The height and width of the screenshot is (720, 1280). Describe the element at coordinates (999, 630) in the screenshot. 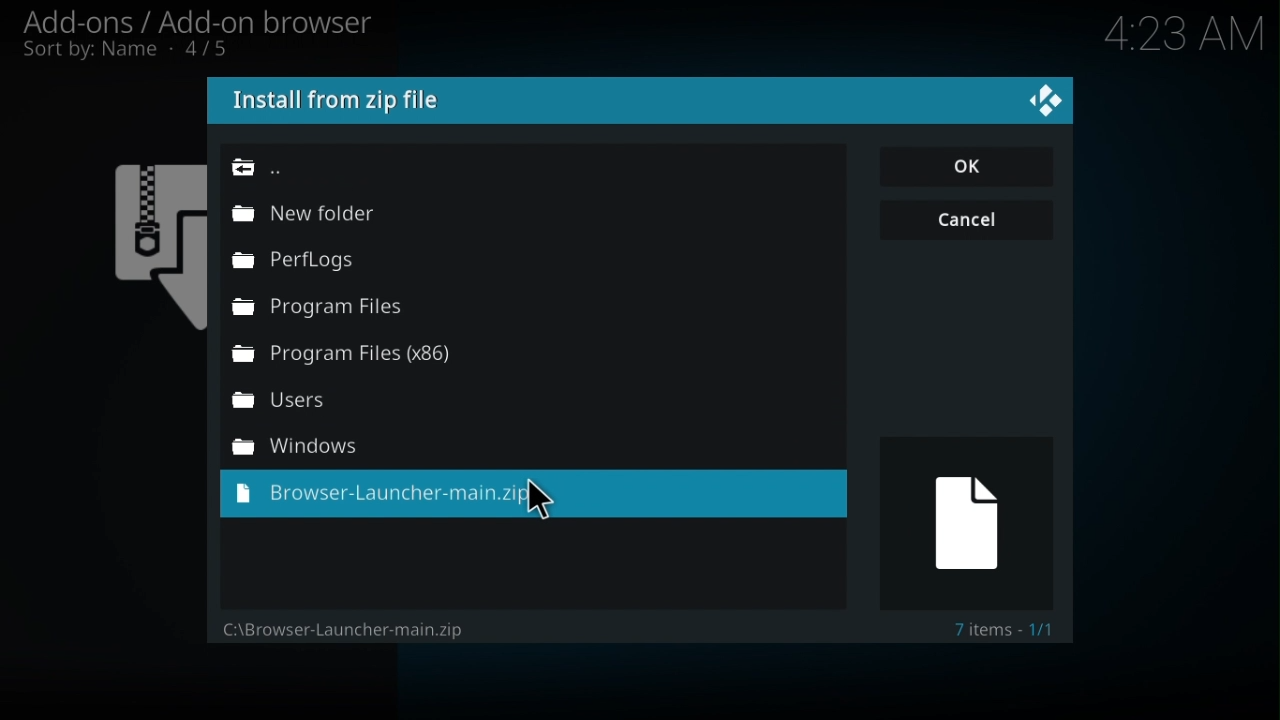

I see `Text` at that location.